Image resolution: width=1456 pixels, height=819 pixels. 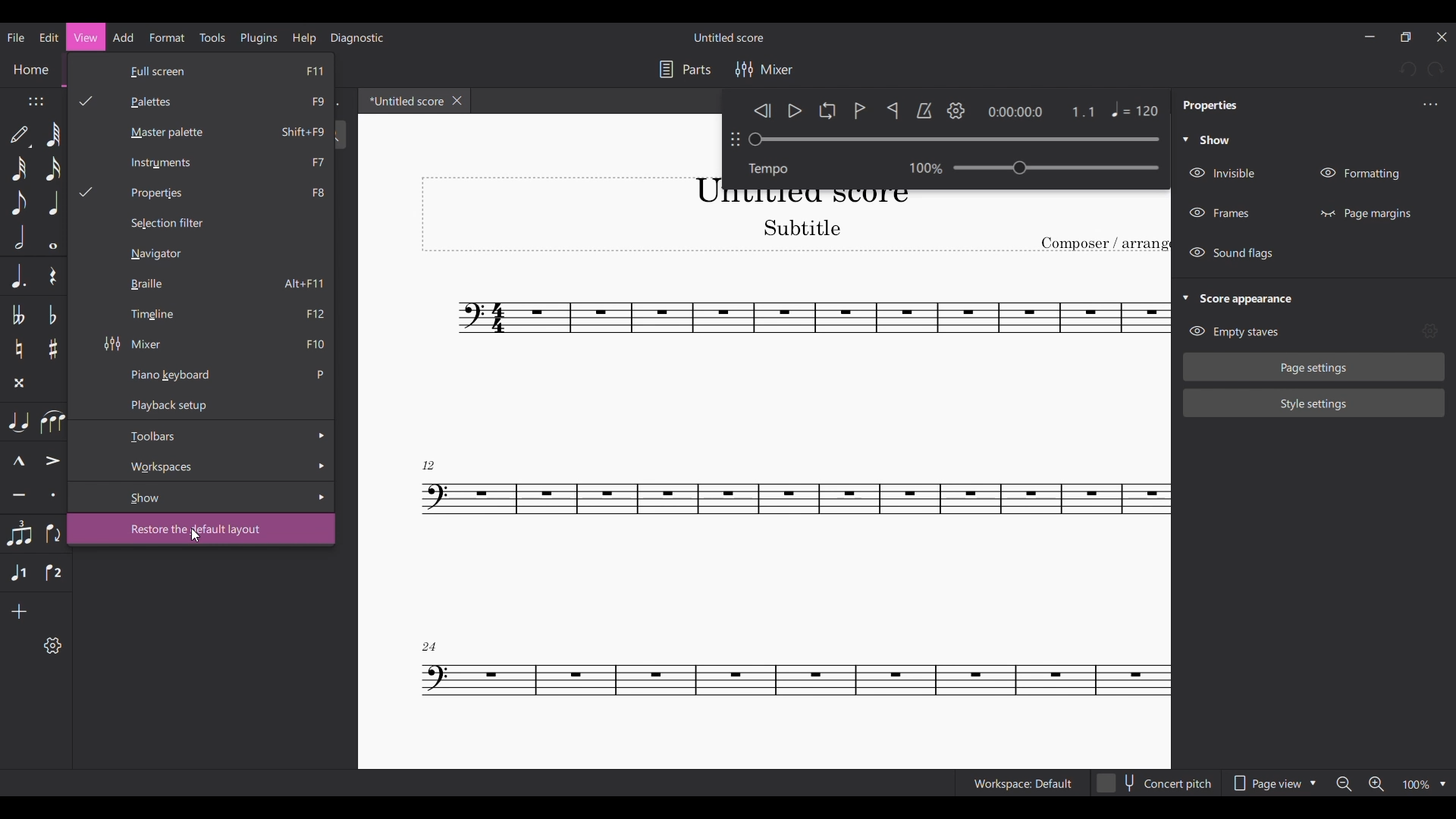 I want to click on Customize notes toolbar, so click(x=52, y=645).